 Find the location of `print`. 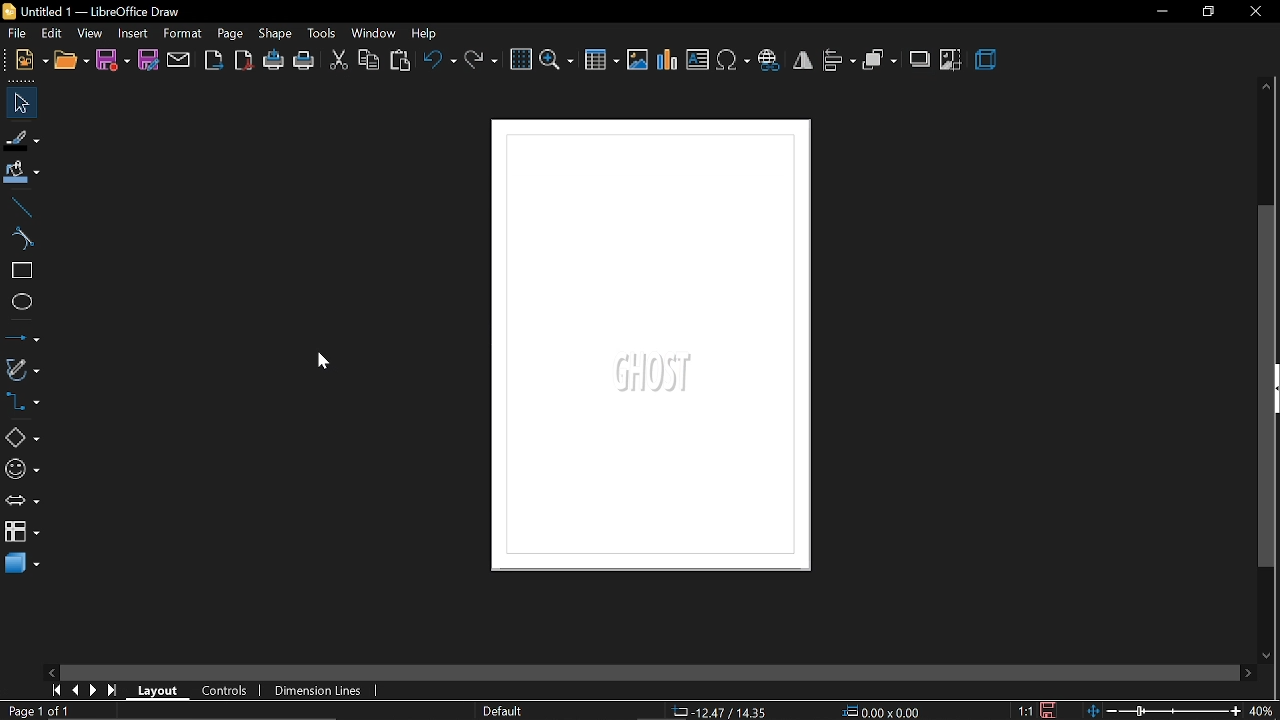

print is located at coordinates (304, 60).